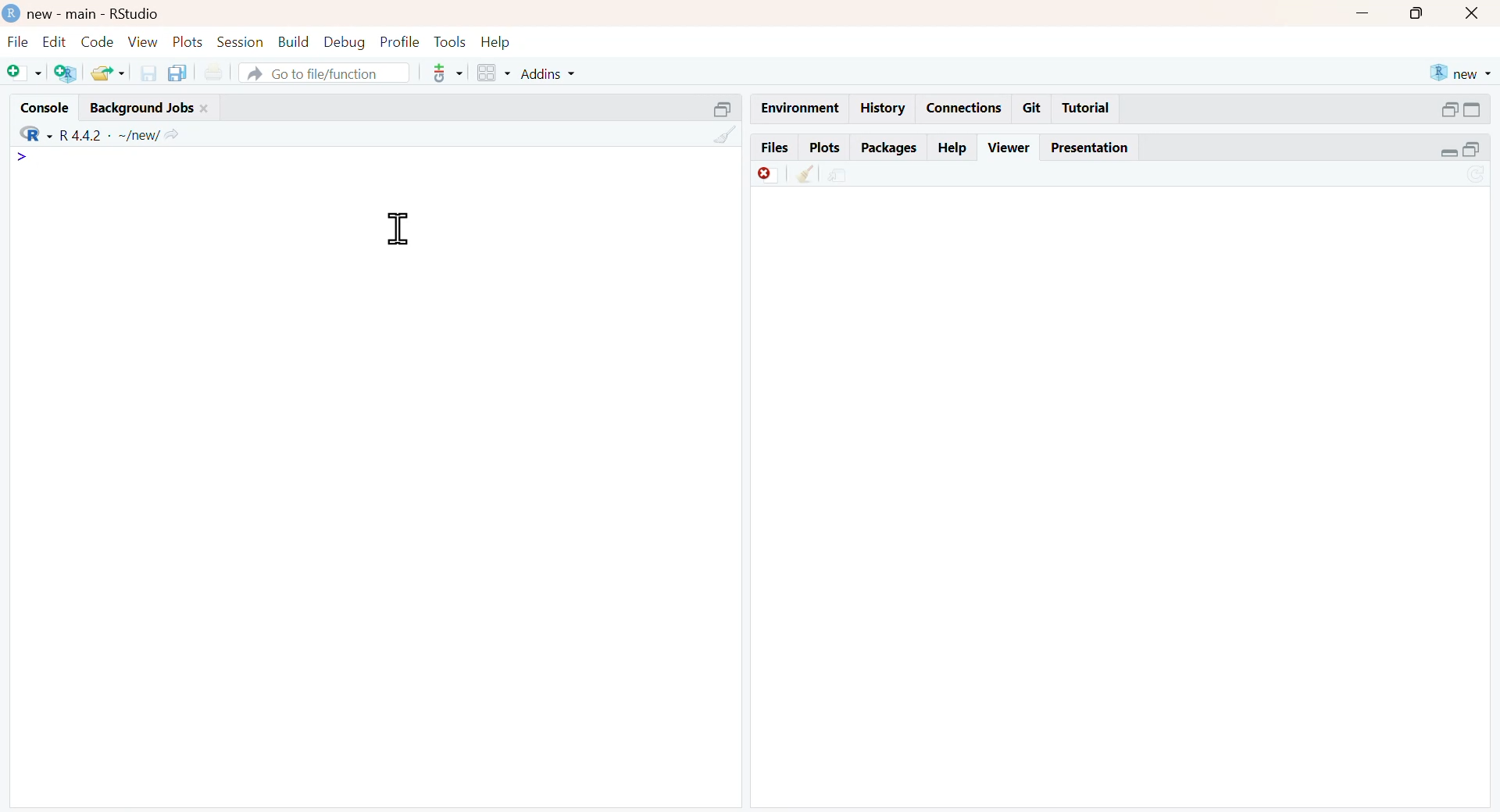 The image size is (1500, 812). What do you see at coordinates (503, 40) in the screenshot?
I see `Help` at bounding box center [503, 40].